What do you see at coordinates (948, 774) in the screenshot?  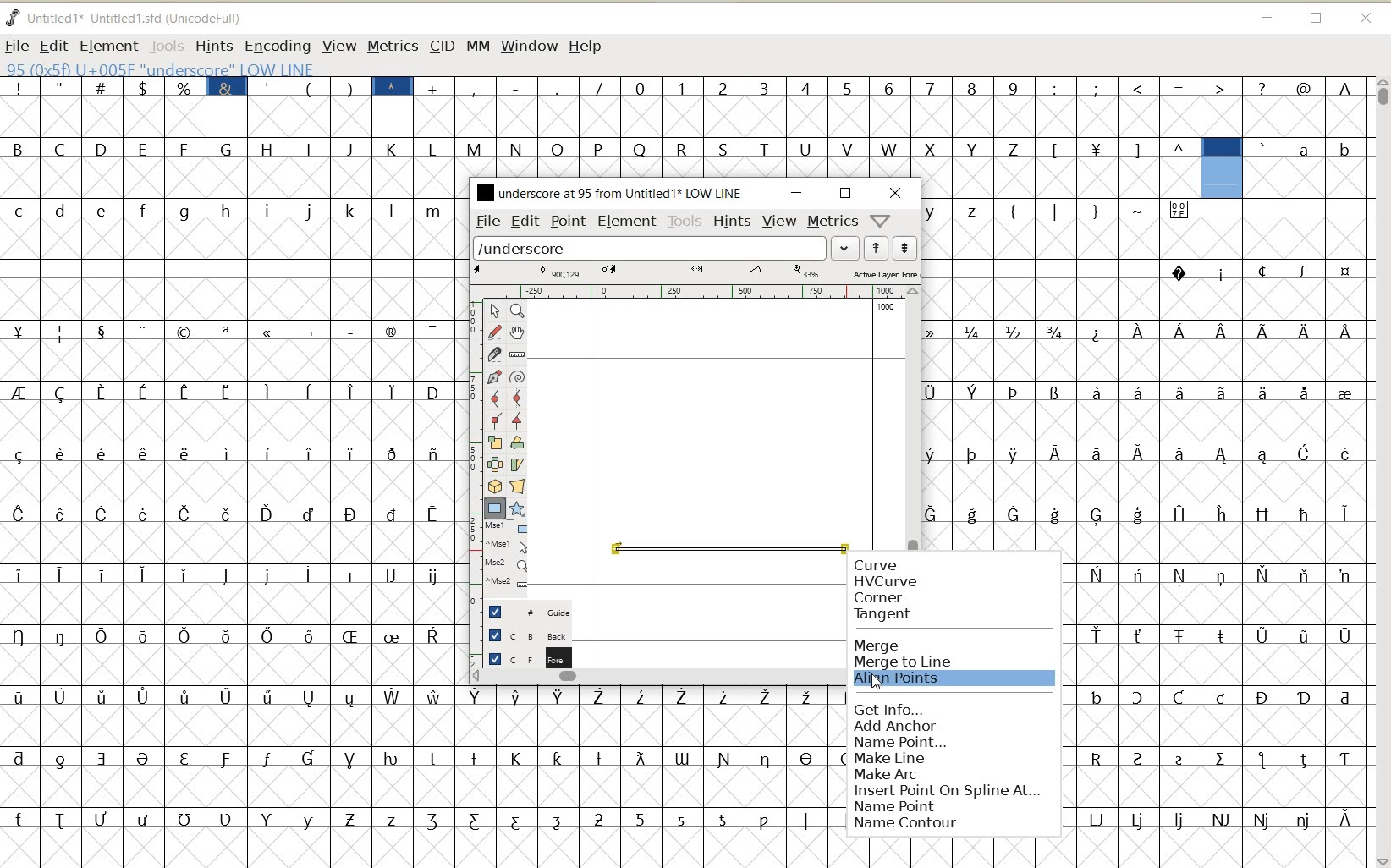 I see `make arc` at bounding box center [948, 774].